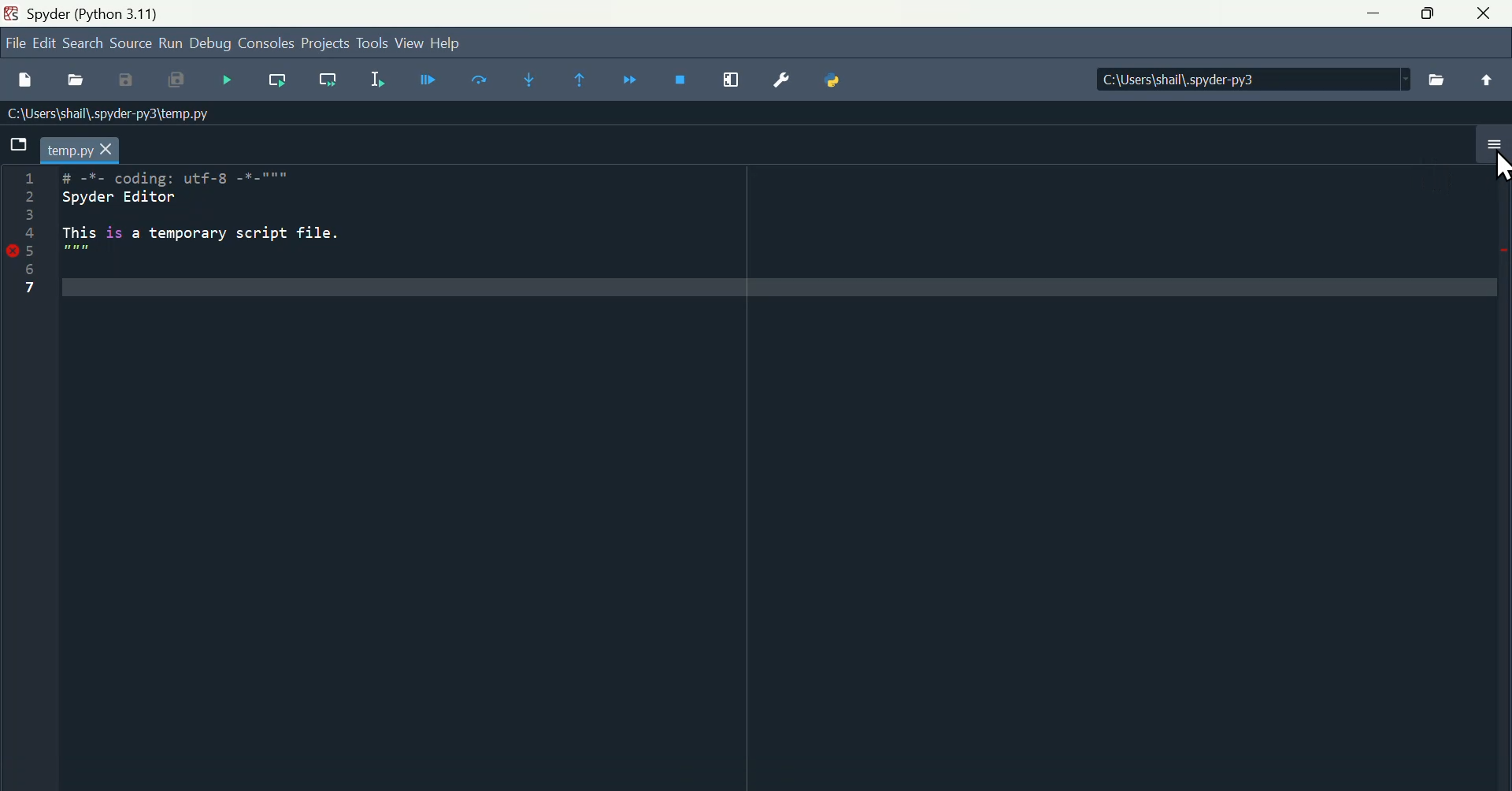  Describe the element at coordinates (175, 45) in the screenshot. I see `run` at that location.